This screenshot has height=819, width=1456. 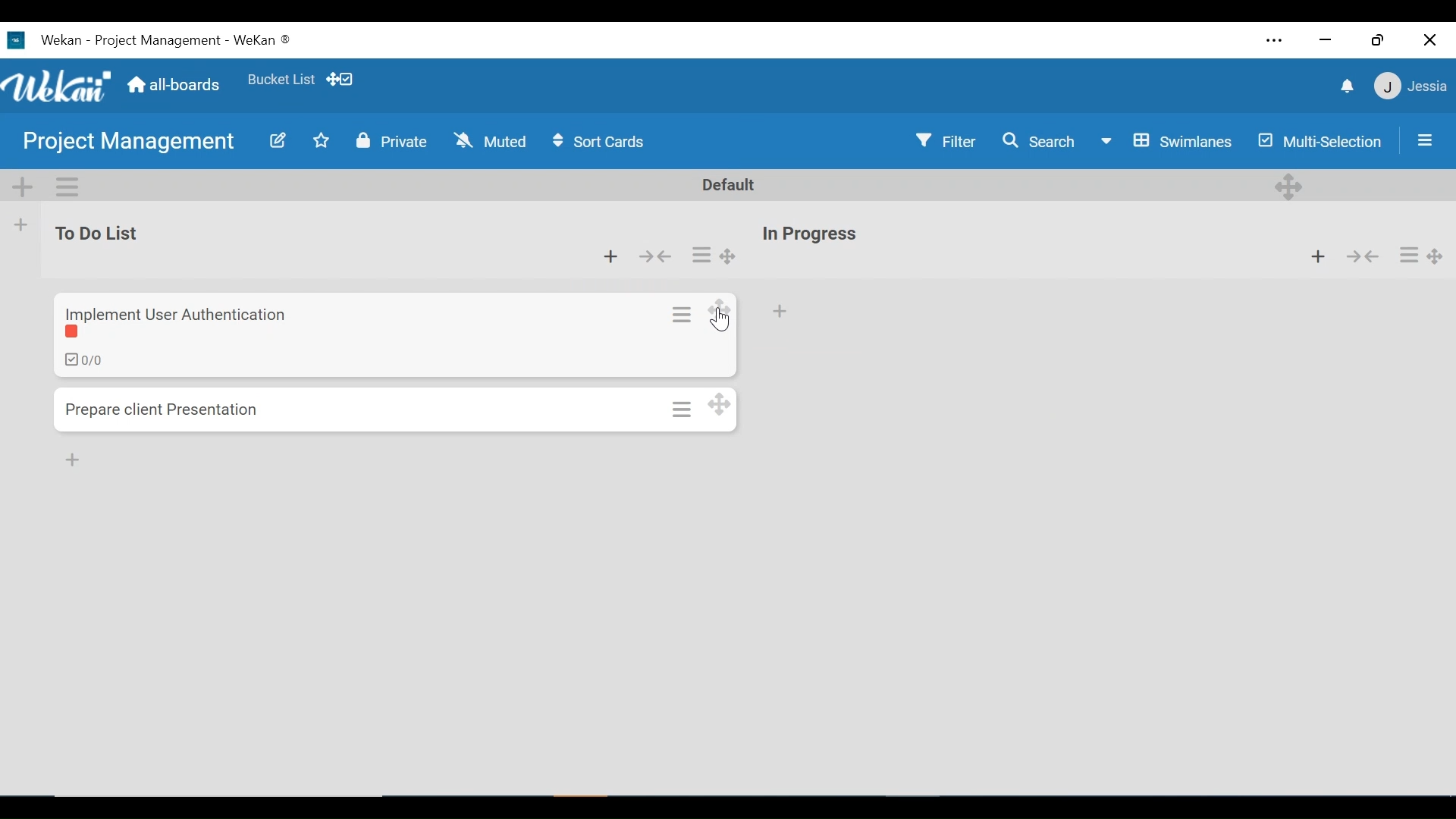 I want to click on Desktop drag handles, so click(x=1434, y=255).